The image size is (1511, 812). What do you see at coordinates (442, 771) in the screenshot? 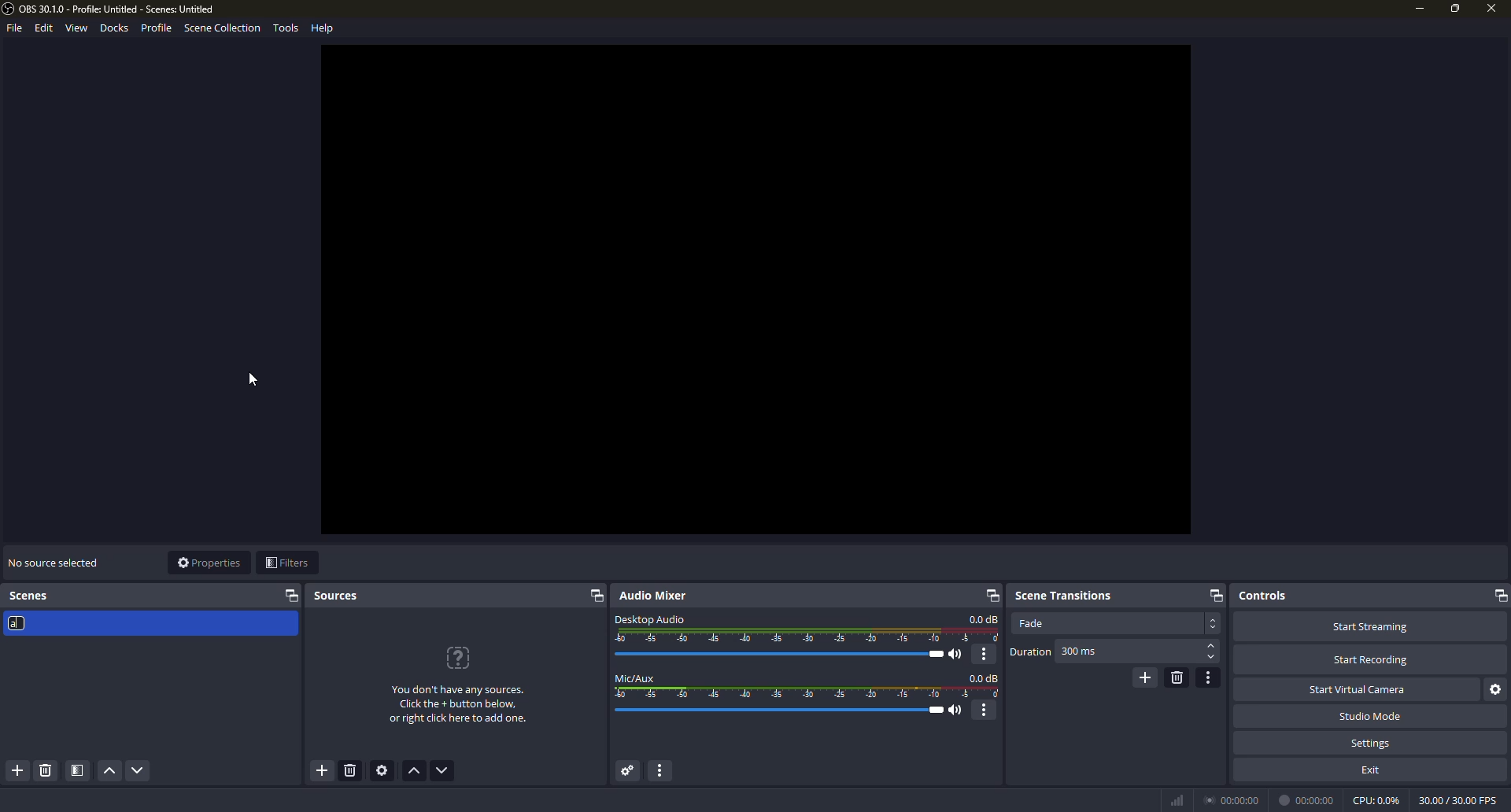
I see `move source down` at bounding box center [442, 771].